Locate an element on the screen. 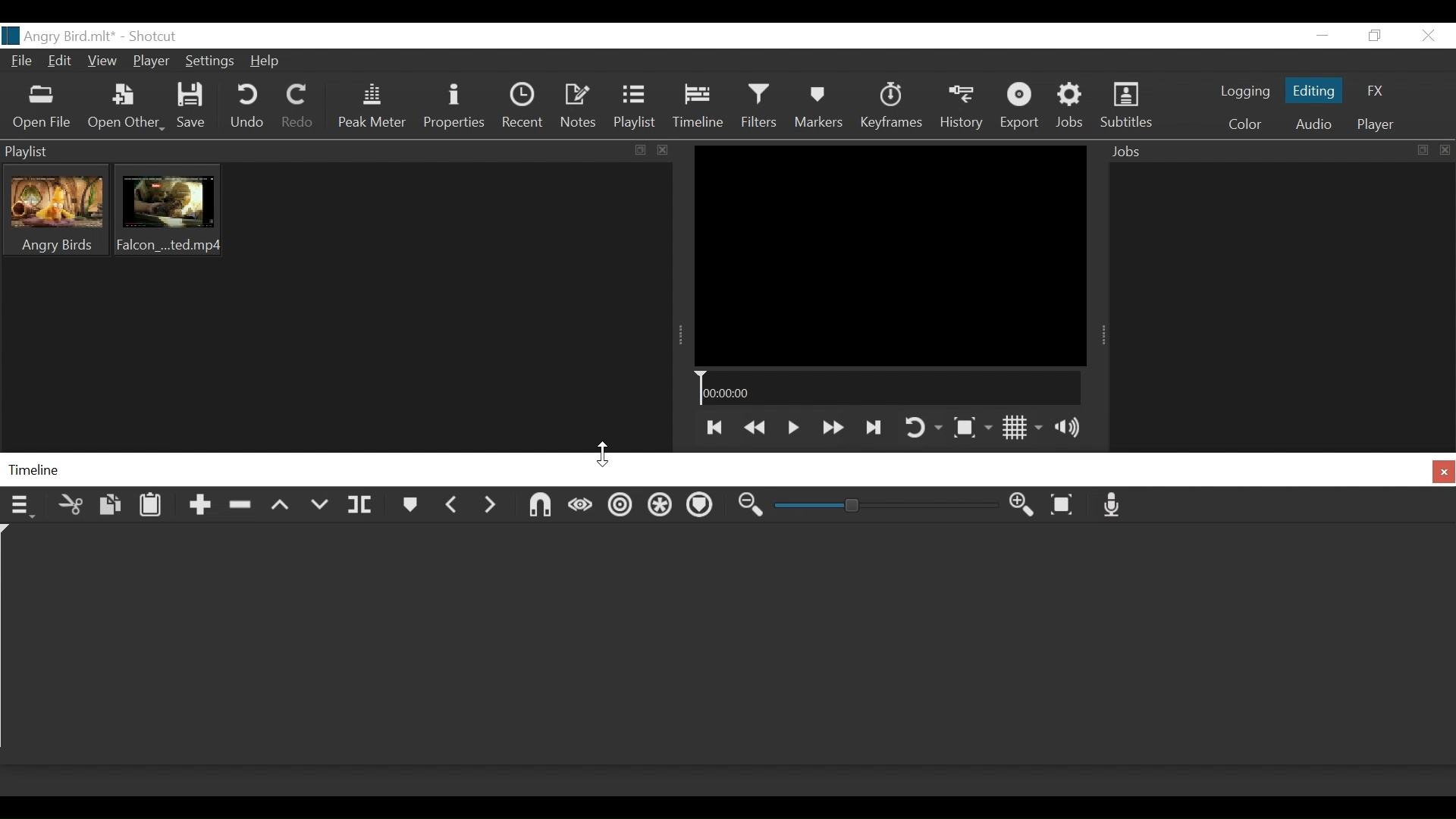 The width and height of the screenshot is (1456, 819). Undo is located at coordinates (247, 108).